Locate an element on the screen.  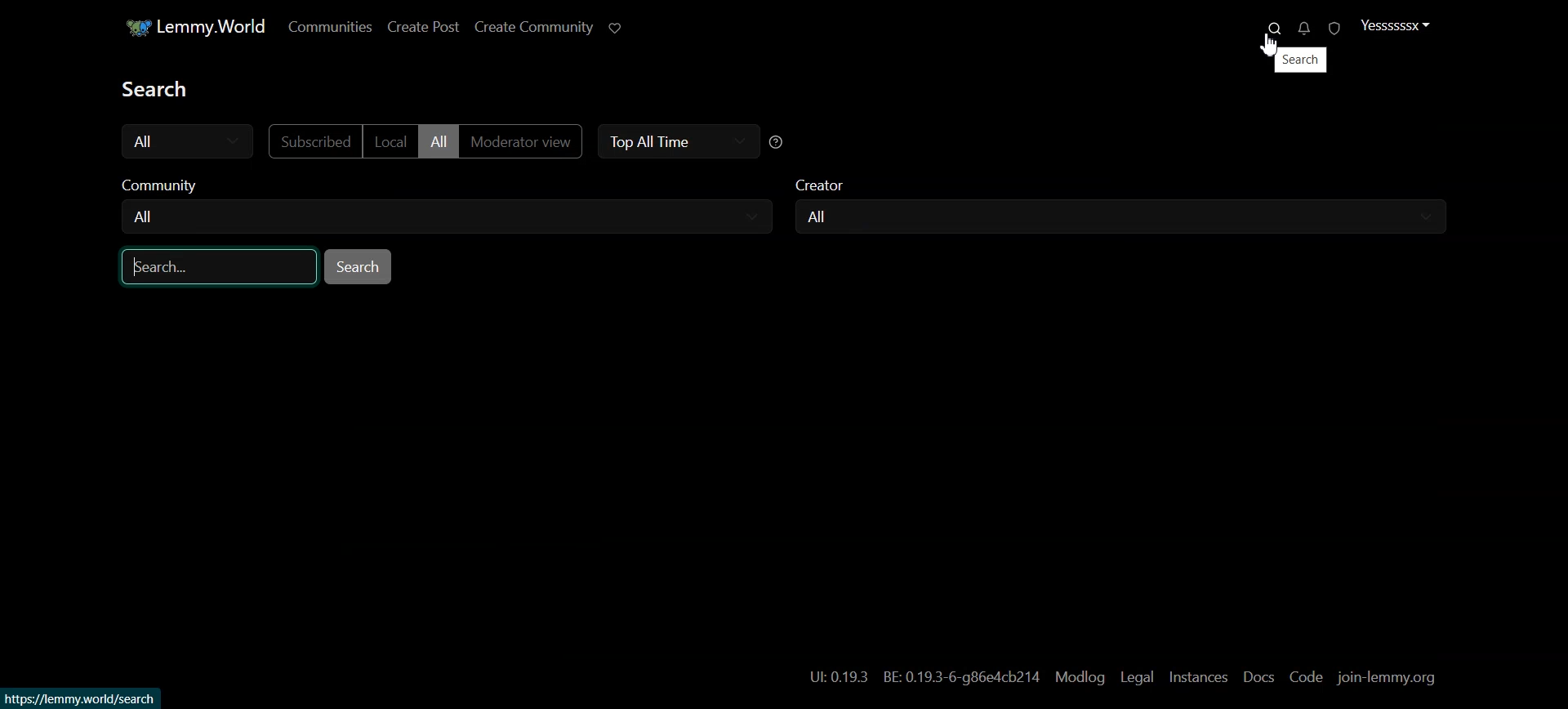
Docs is located at coordinates (1258, 677).